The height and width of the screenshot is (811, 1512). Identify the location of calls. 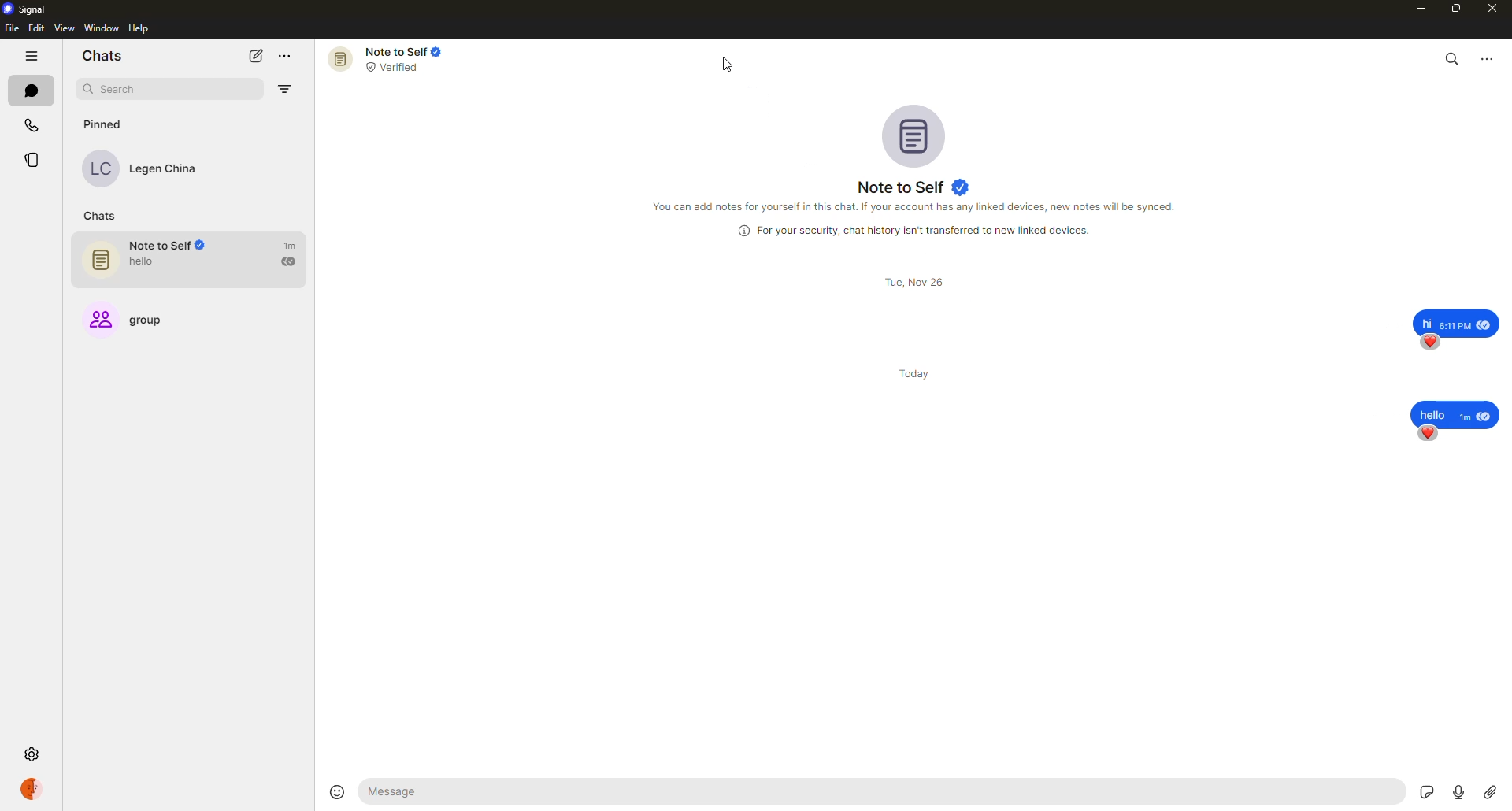
(31, 124).